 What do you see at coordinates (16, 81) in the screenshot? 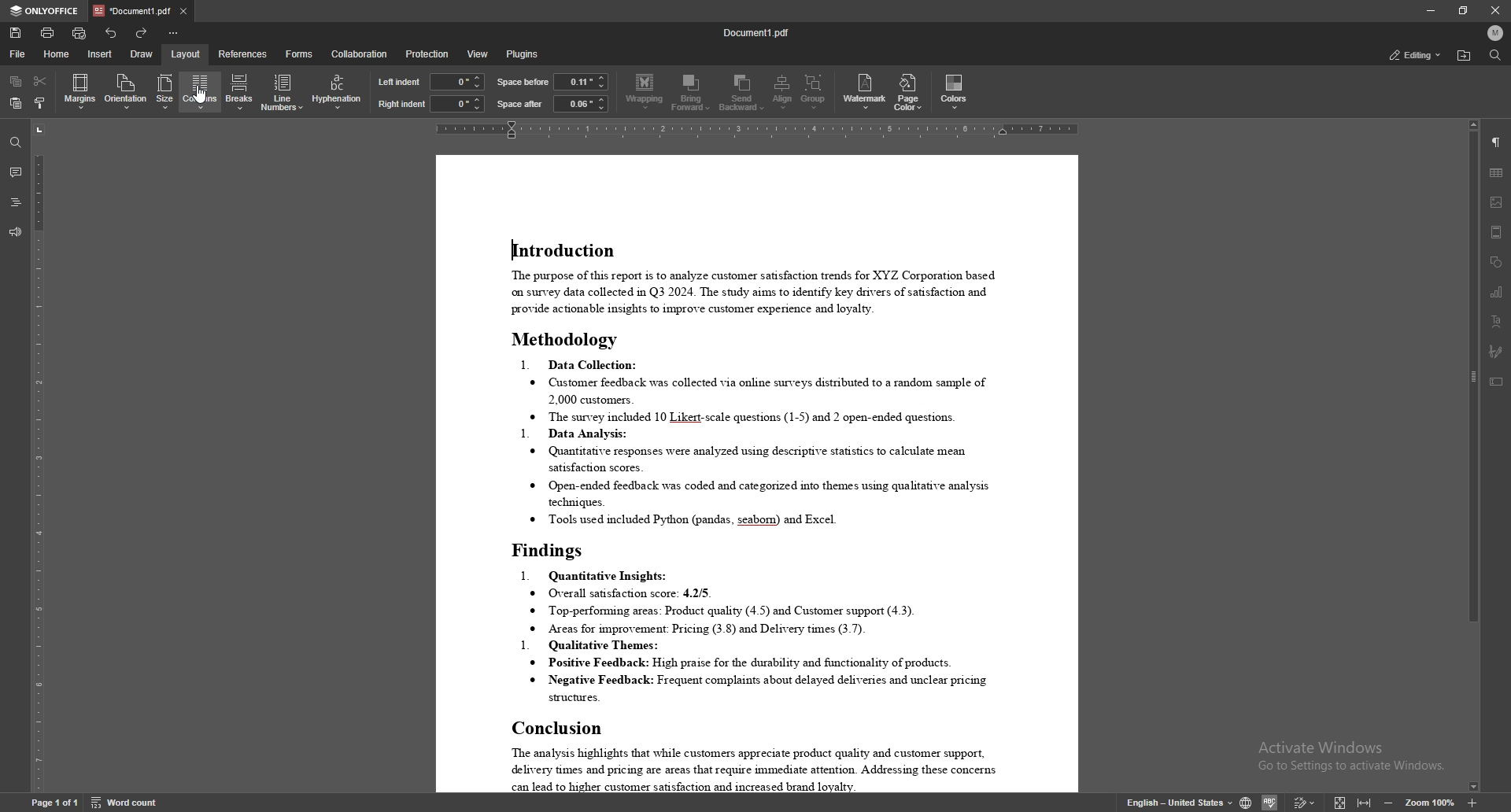
I see `copy` at bounding box center [16, 81].